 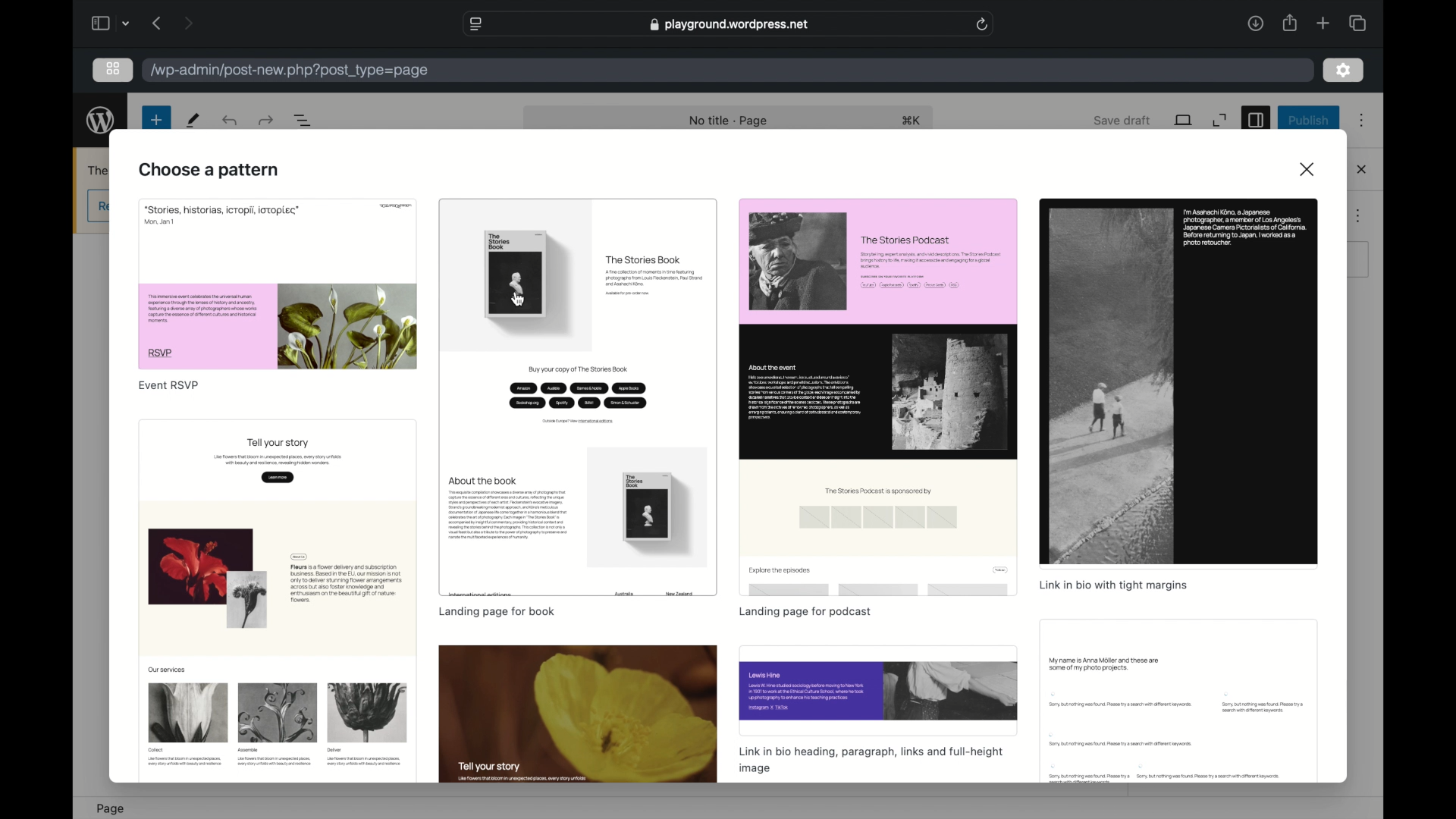 I want to click on settings, so click(x=1344, y=71).